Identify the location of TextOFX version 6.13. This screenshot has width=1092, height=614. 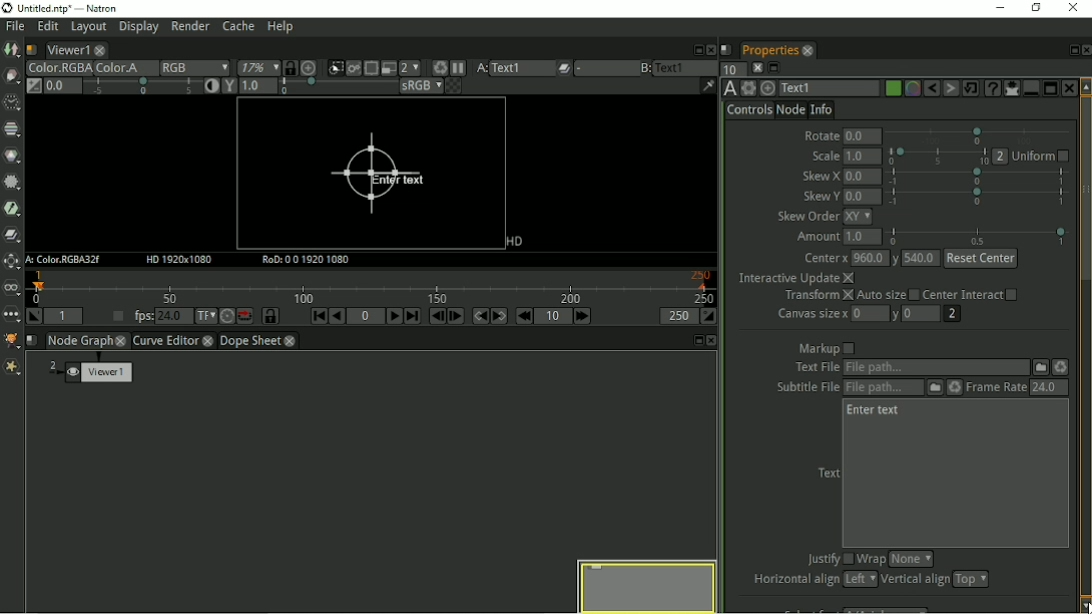
(728, 90).